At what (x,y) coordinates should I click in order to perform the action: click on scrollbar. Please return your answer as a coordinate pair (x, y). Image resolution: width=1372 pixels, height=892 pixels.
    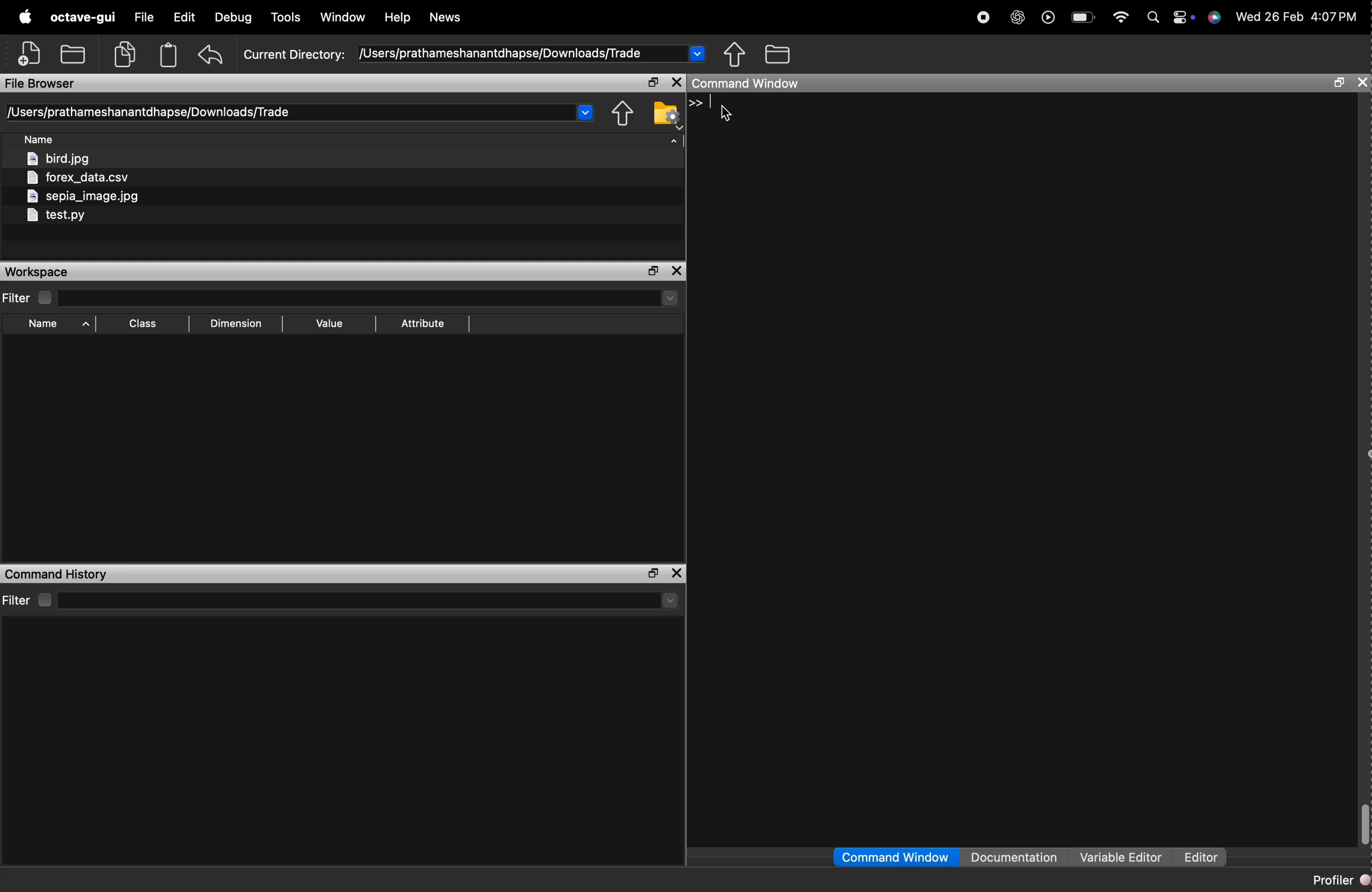
    Looking at the image, I should click on (1366, 825).